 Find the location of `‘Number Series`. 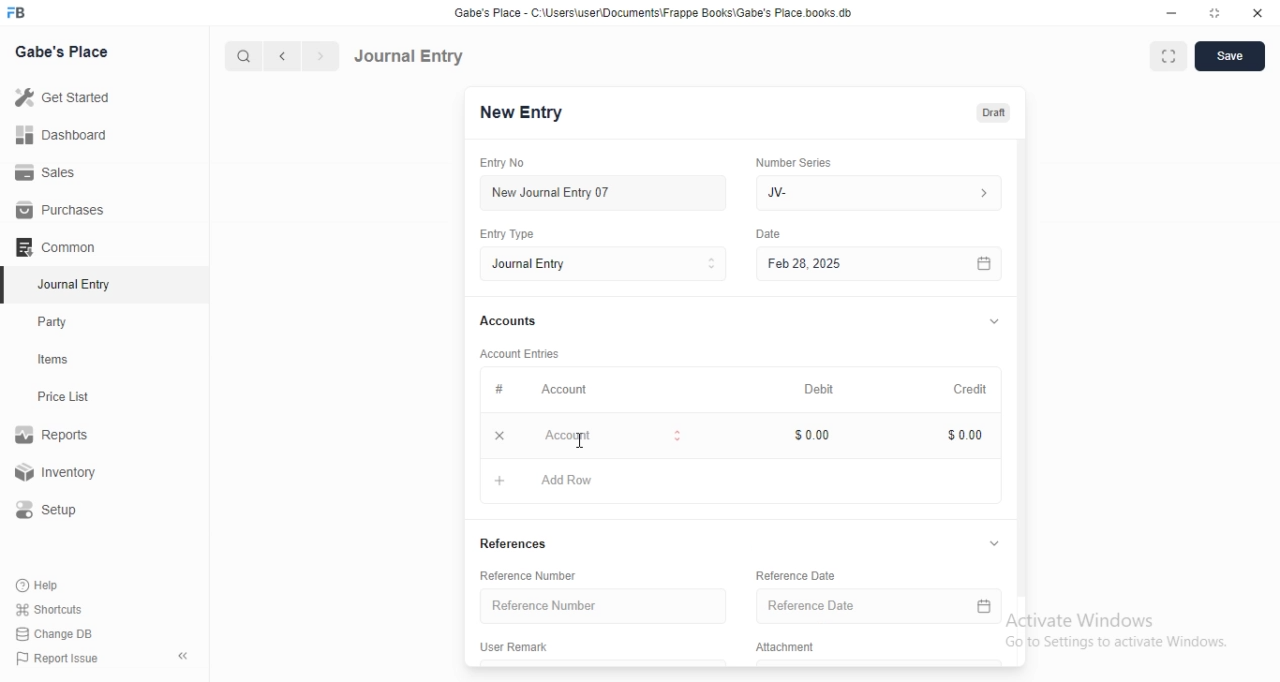

‘Number Series is located at coordinates (792, 162).